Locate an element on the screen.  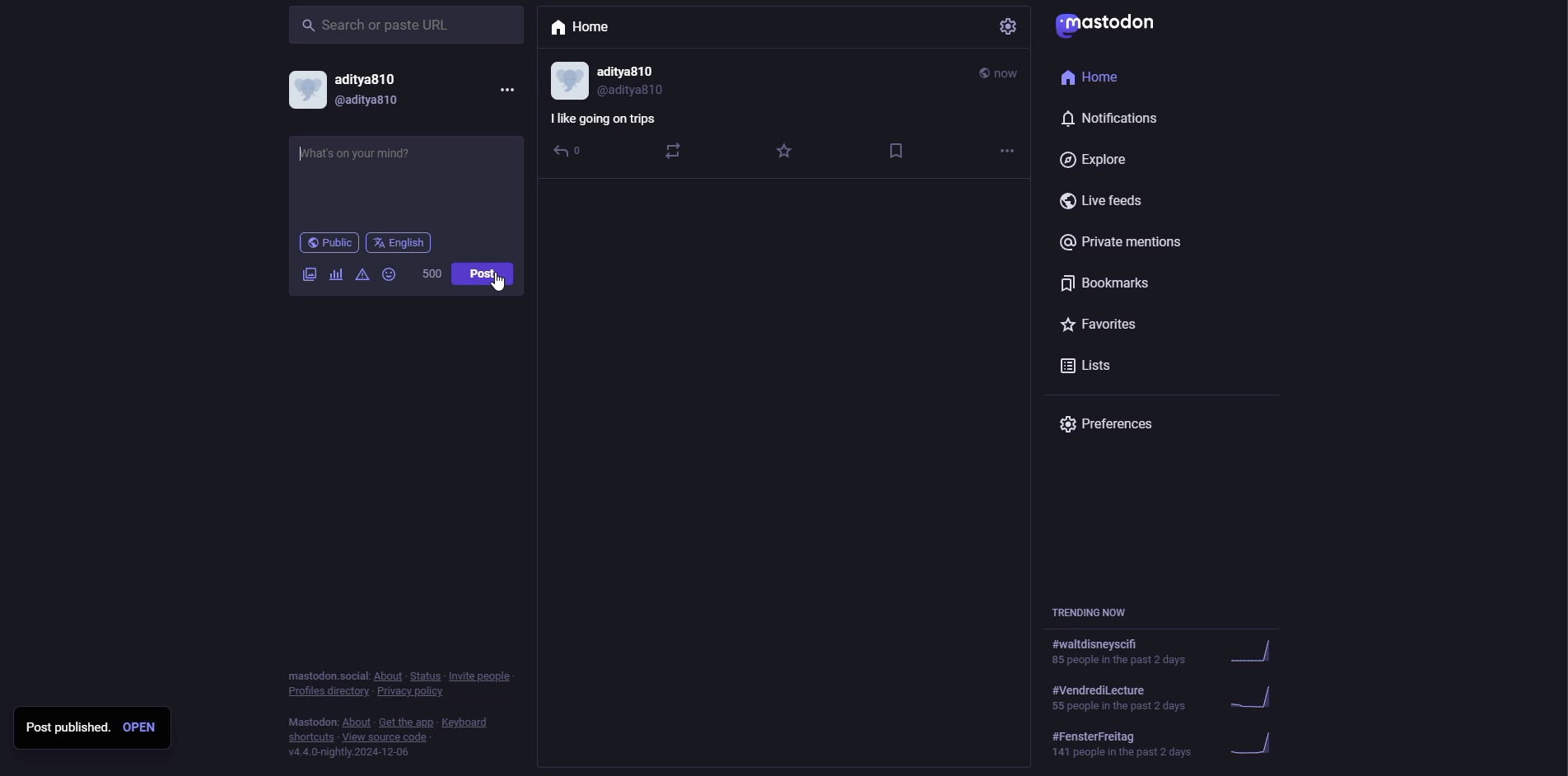
reply is located at coordinates (564, 152).